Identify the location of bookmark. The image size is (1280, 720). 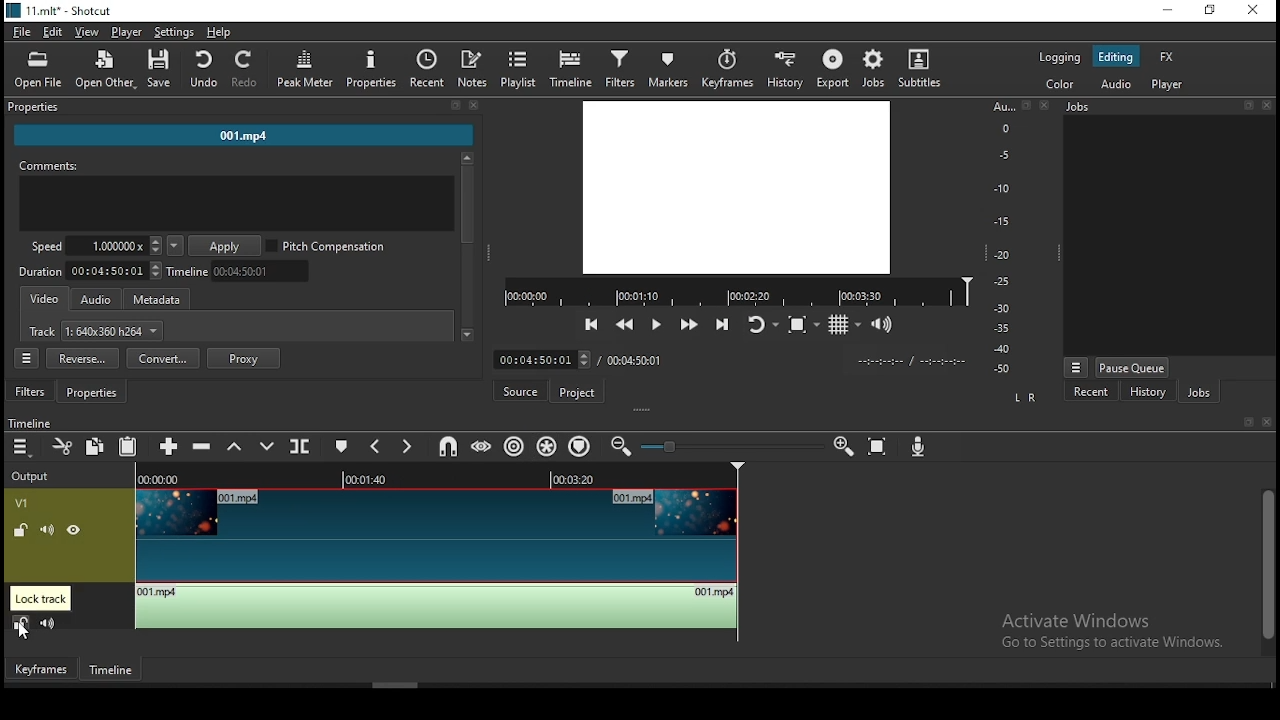
(1246, 422).